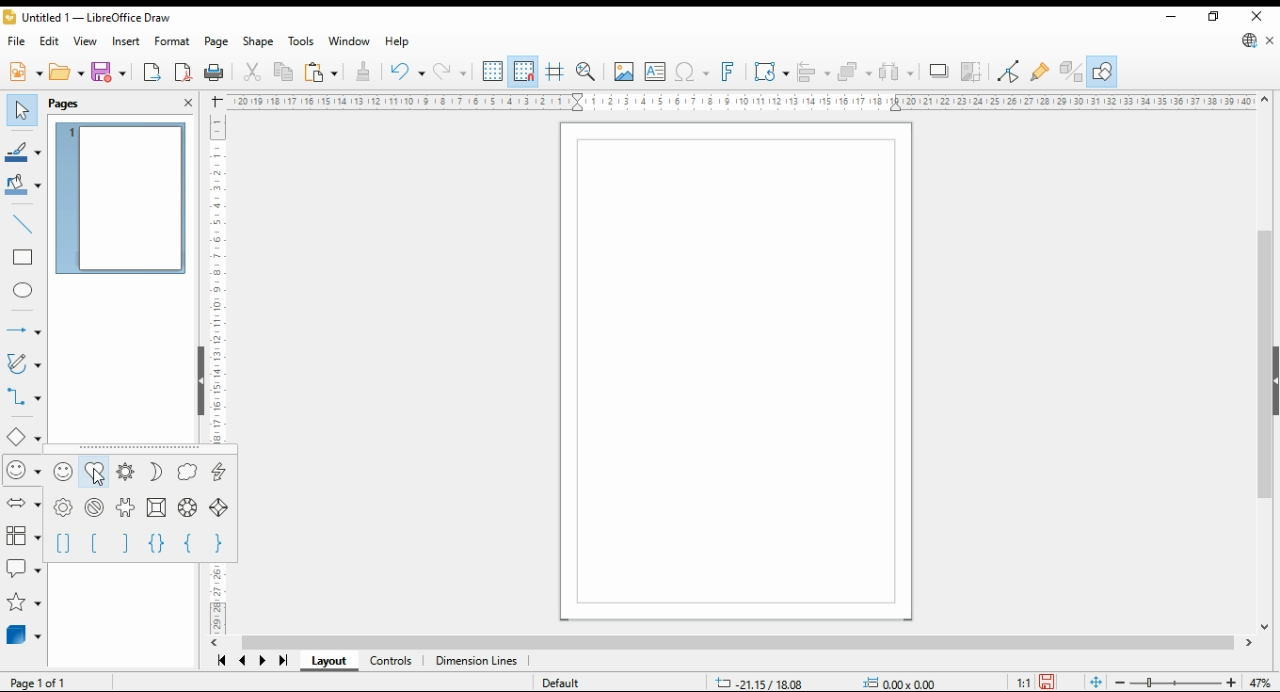 This screenshot has width=1280, height=692. What do you see at coordinates (258, 42) in the screenshot?
I see `shape` at bounding box center [258, 42].